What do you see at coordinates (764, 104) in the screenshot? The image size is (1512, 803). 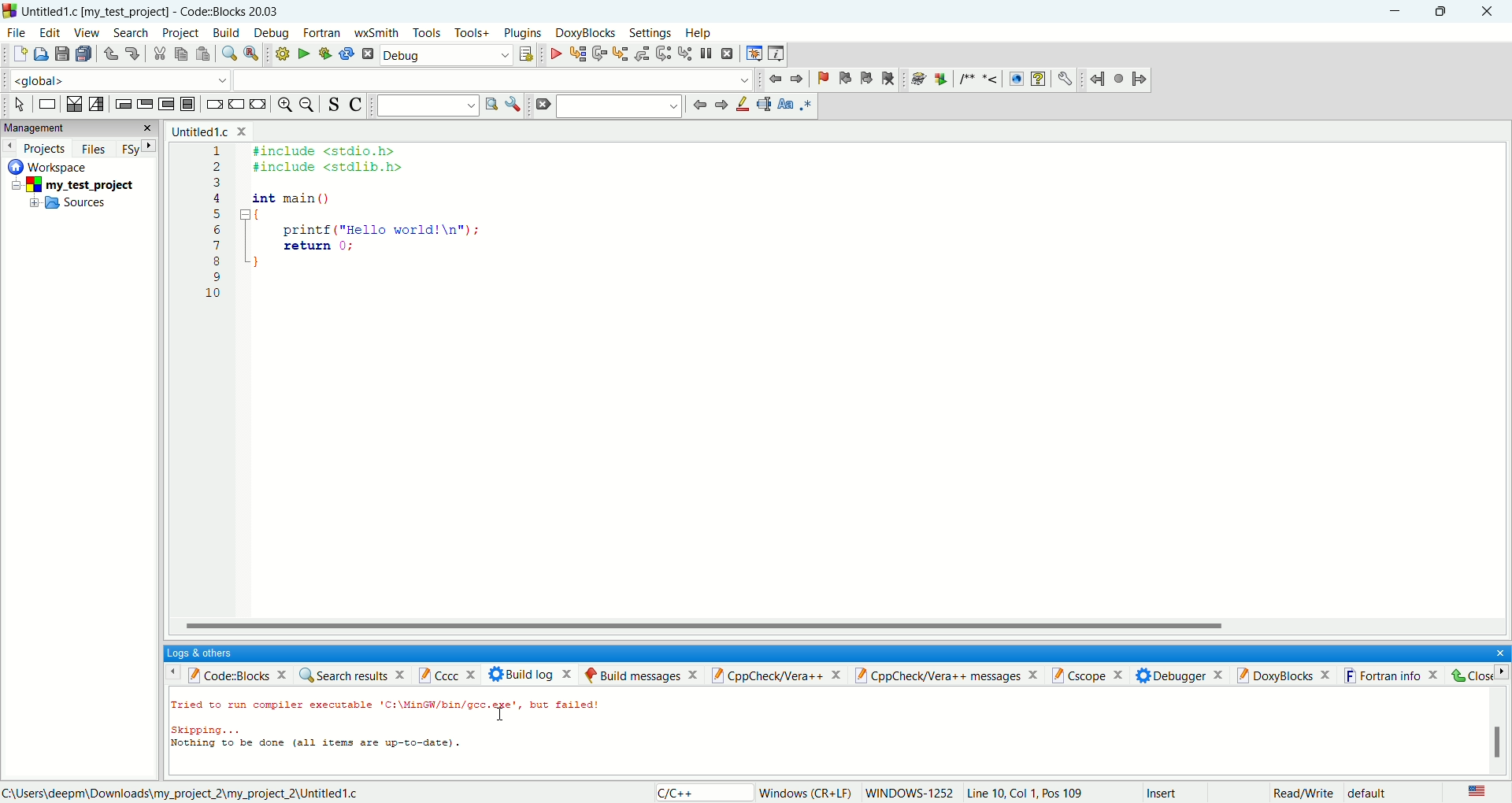 I see `selected text` at bounding box center [764, 104].